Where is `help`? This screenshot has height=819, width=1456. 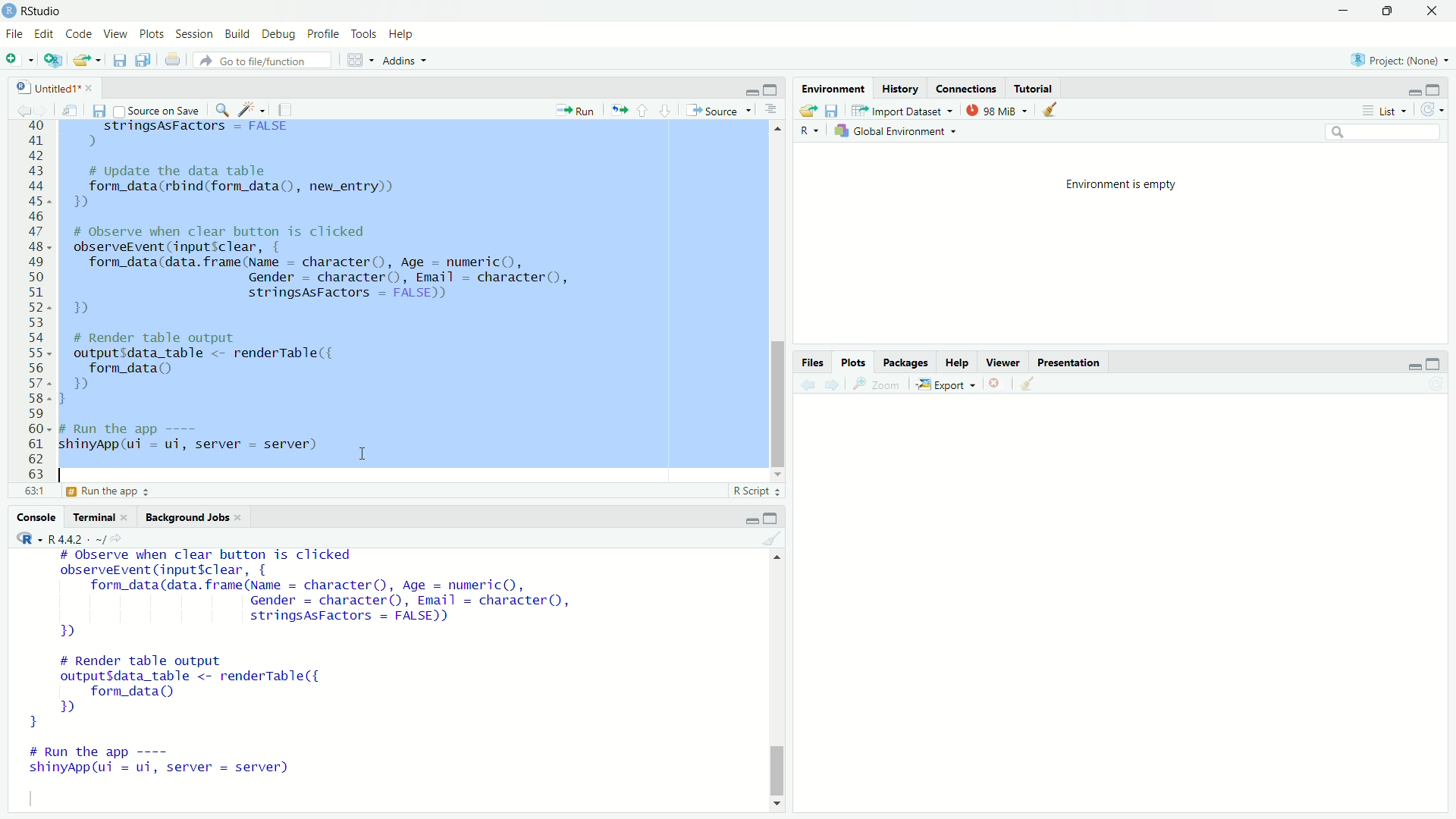 help is located at coordinates (955, 362).